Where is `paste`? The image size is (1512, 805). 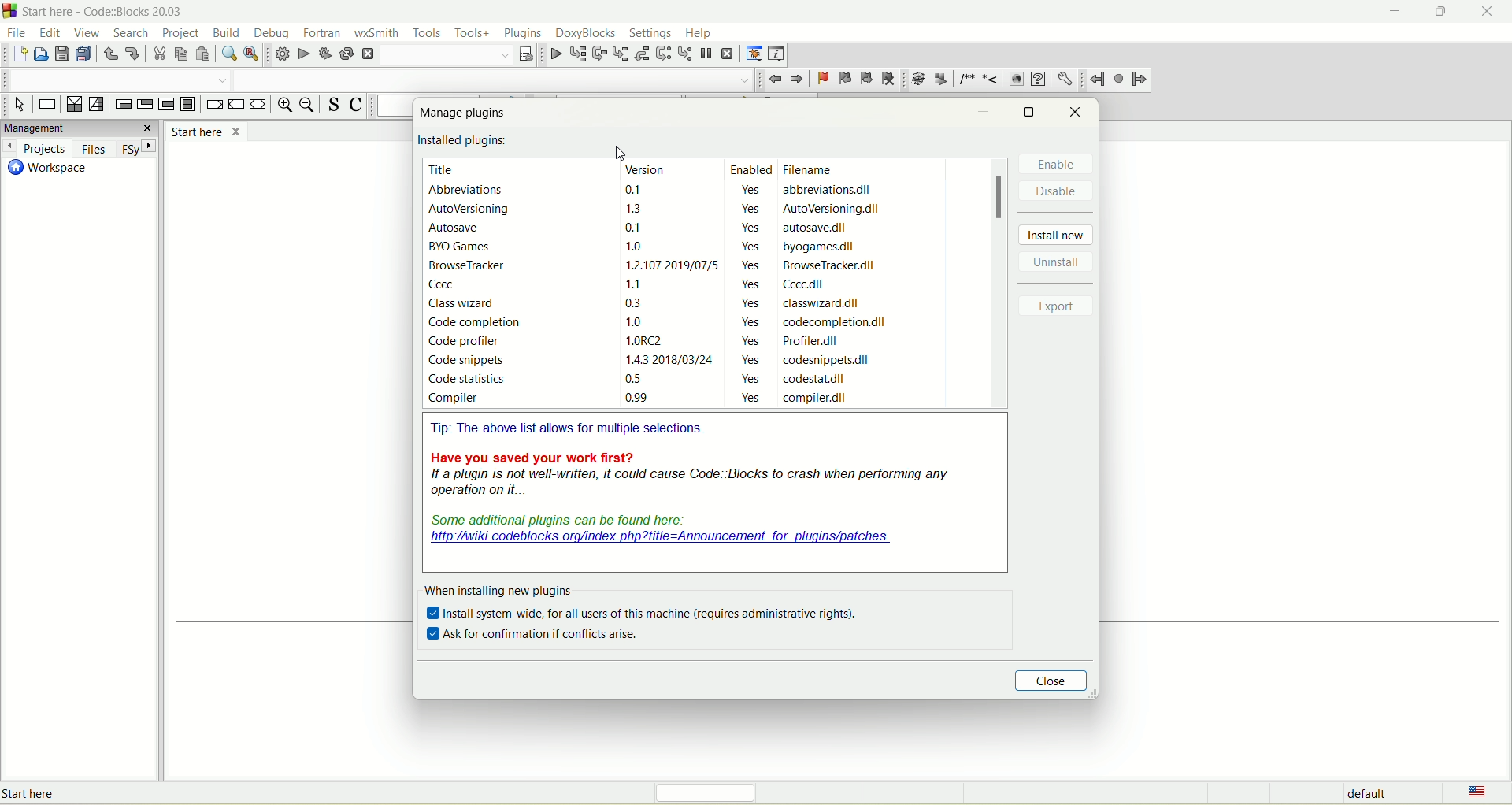 paste is located at coordinates (204, 55).